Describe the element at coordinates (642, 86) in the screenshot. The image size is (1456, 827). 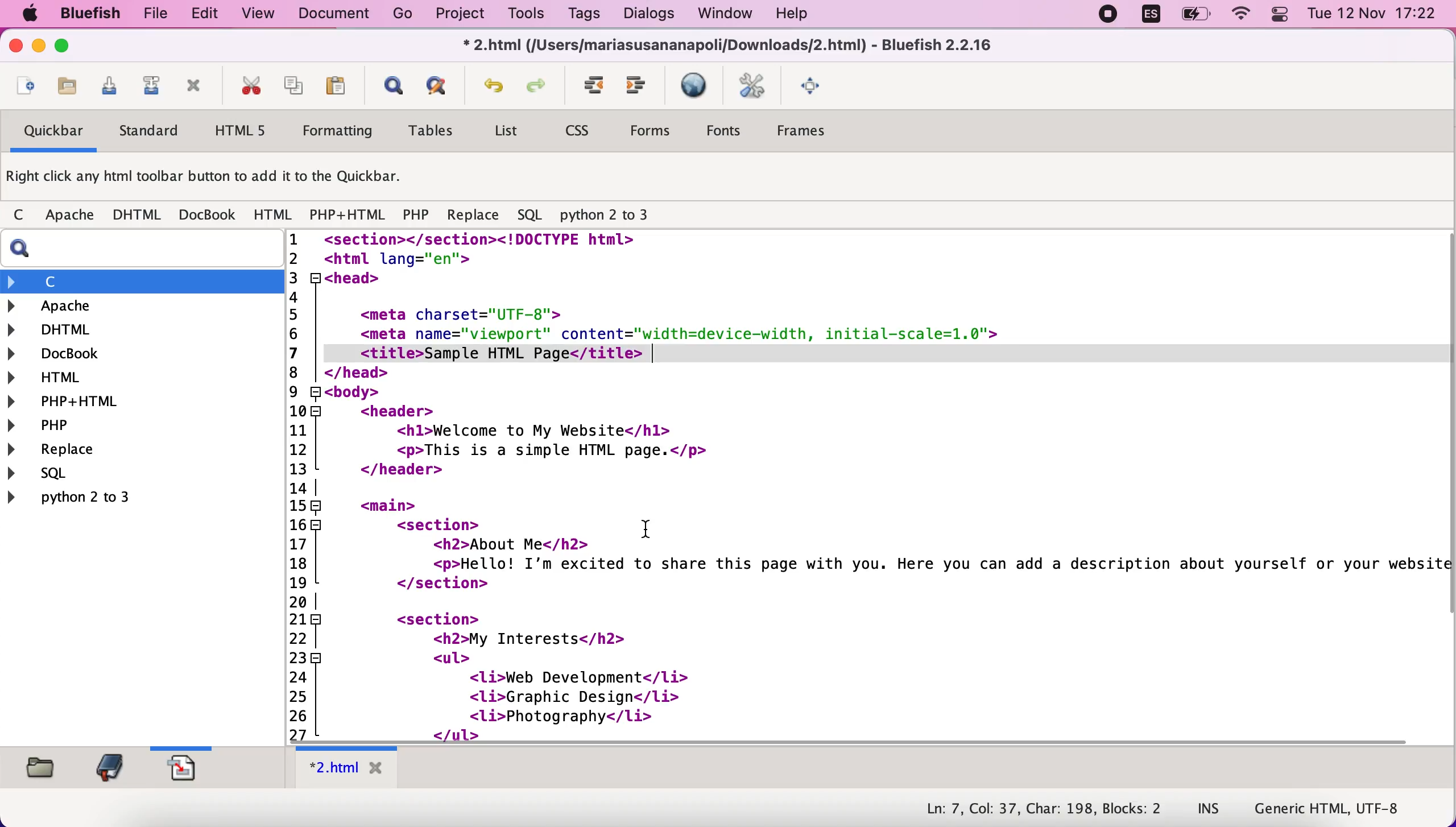
I see `unindent` at that location.